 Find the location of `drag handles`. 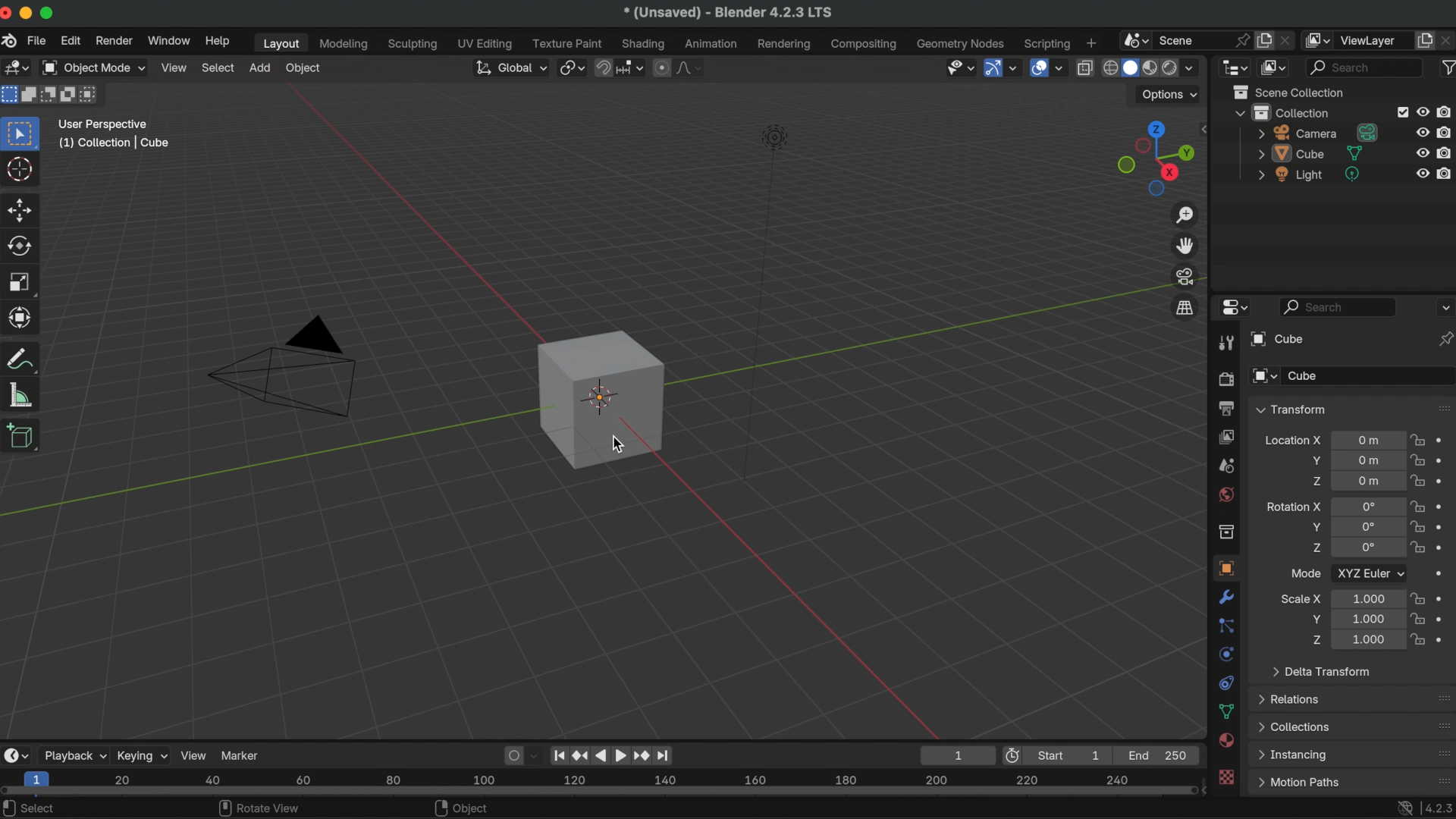

drag handles is located at coordinates (1439, 698).